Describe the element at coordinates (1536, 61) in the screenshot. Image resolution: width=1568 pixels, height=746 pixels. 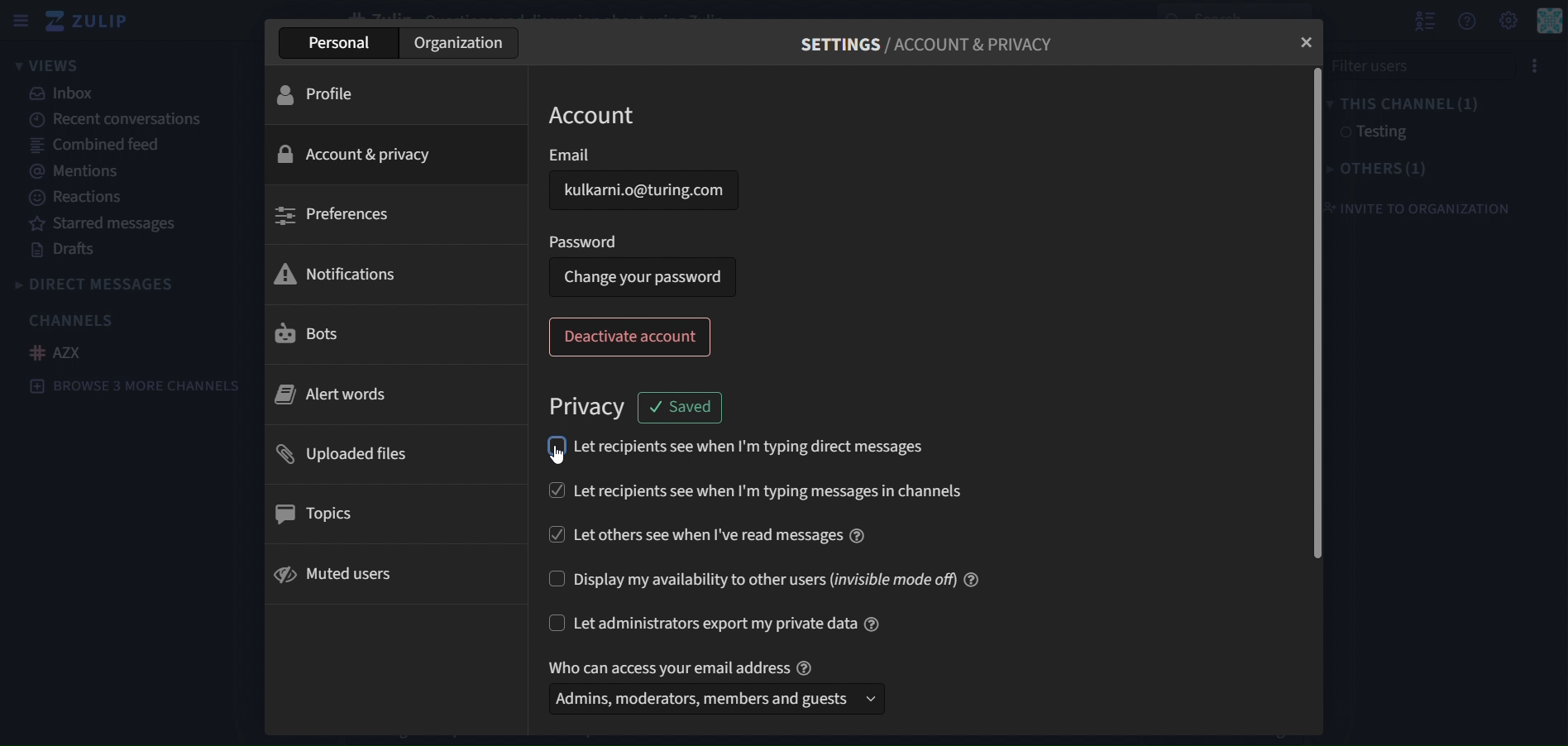
I see `menu` at that location.